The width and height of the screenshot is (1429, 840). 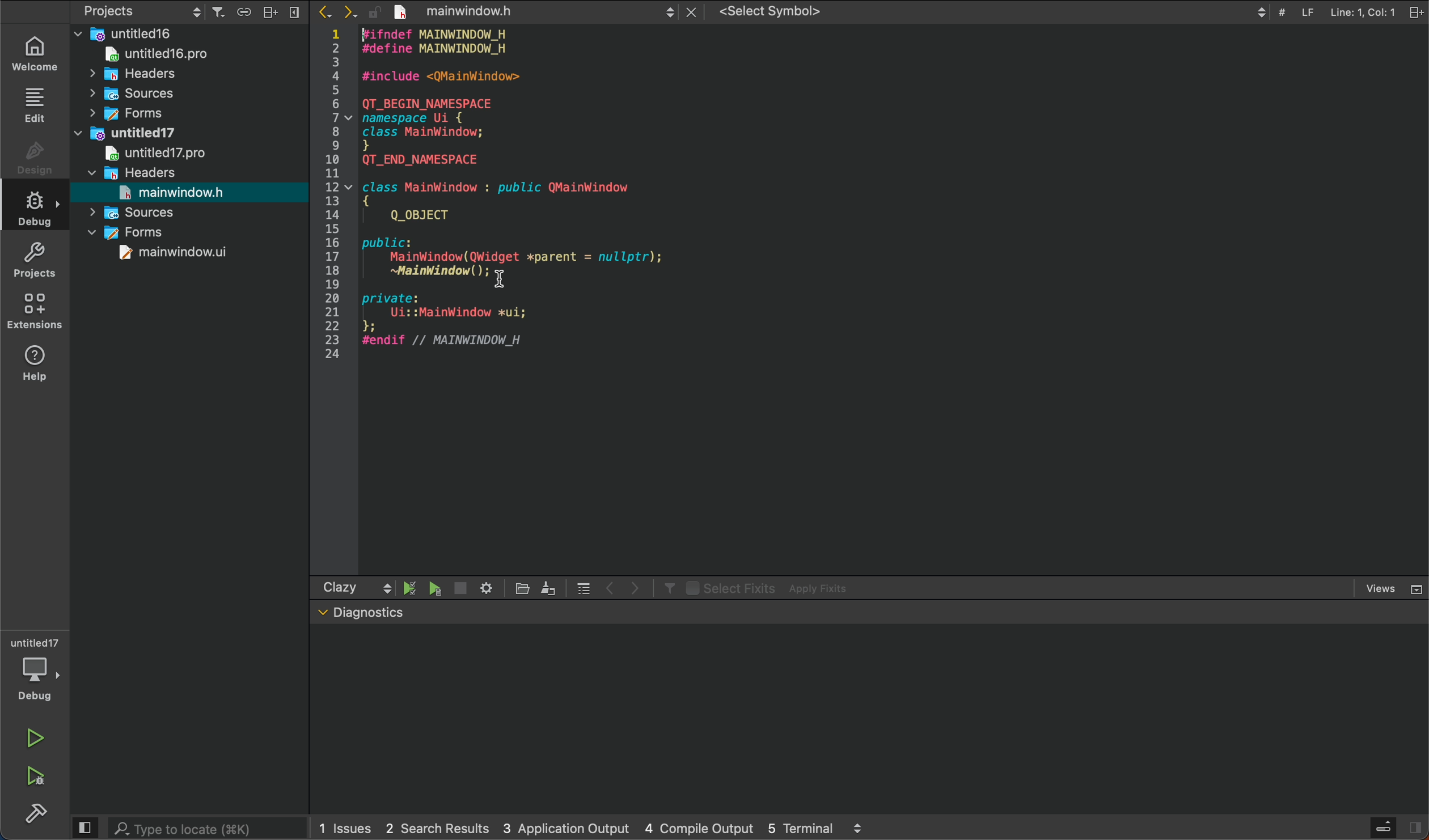 I want to click on 4 Compile Output, so click(x=699, y=827).